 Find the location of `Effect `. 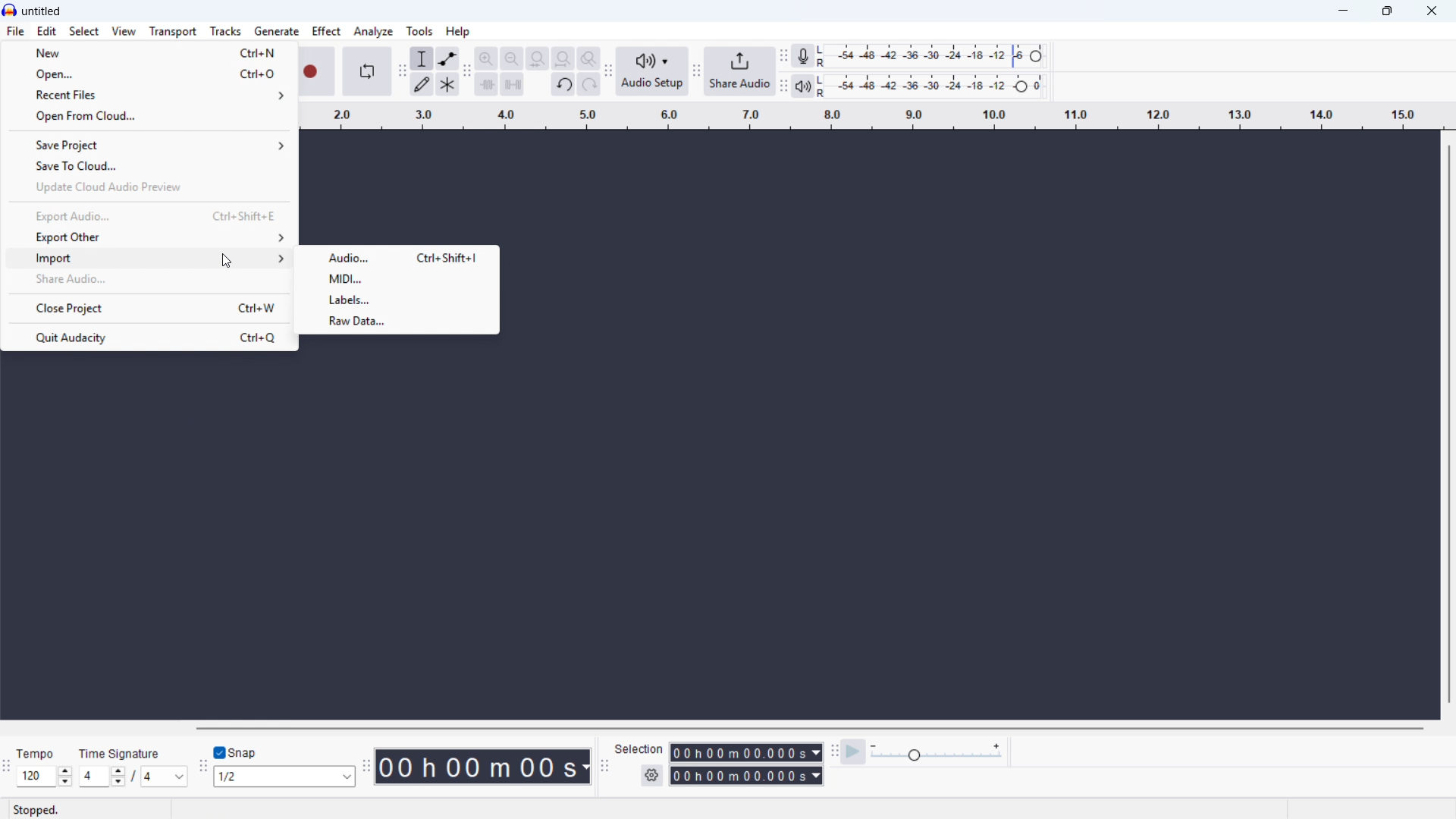

Effect  is located at coordinates (326, 31).